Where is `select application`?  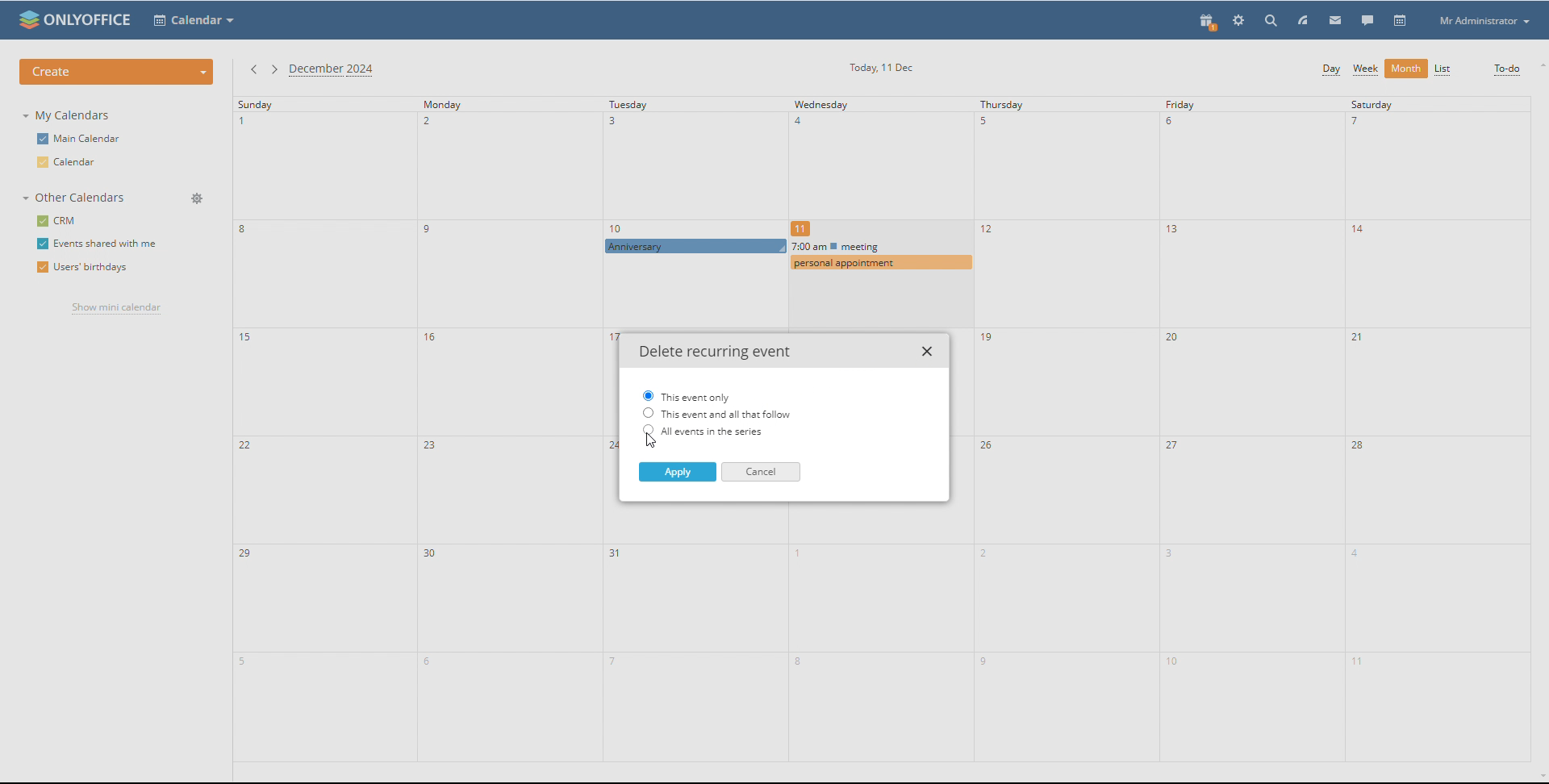
select application is located at coordinates (194, 21).